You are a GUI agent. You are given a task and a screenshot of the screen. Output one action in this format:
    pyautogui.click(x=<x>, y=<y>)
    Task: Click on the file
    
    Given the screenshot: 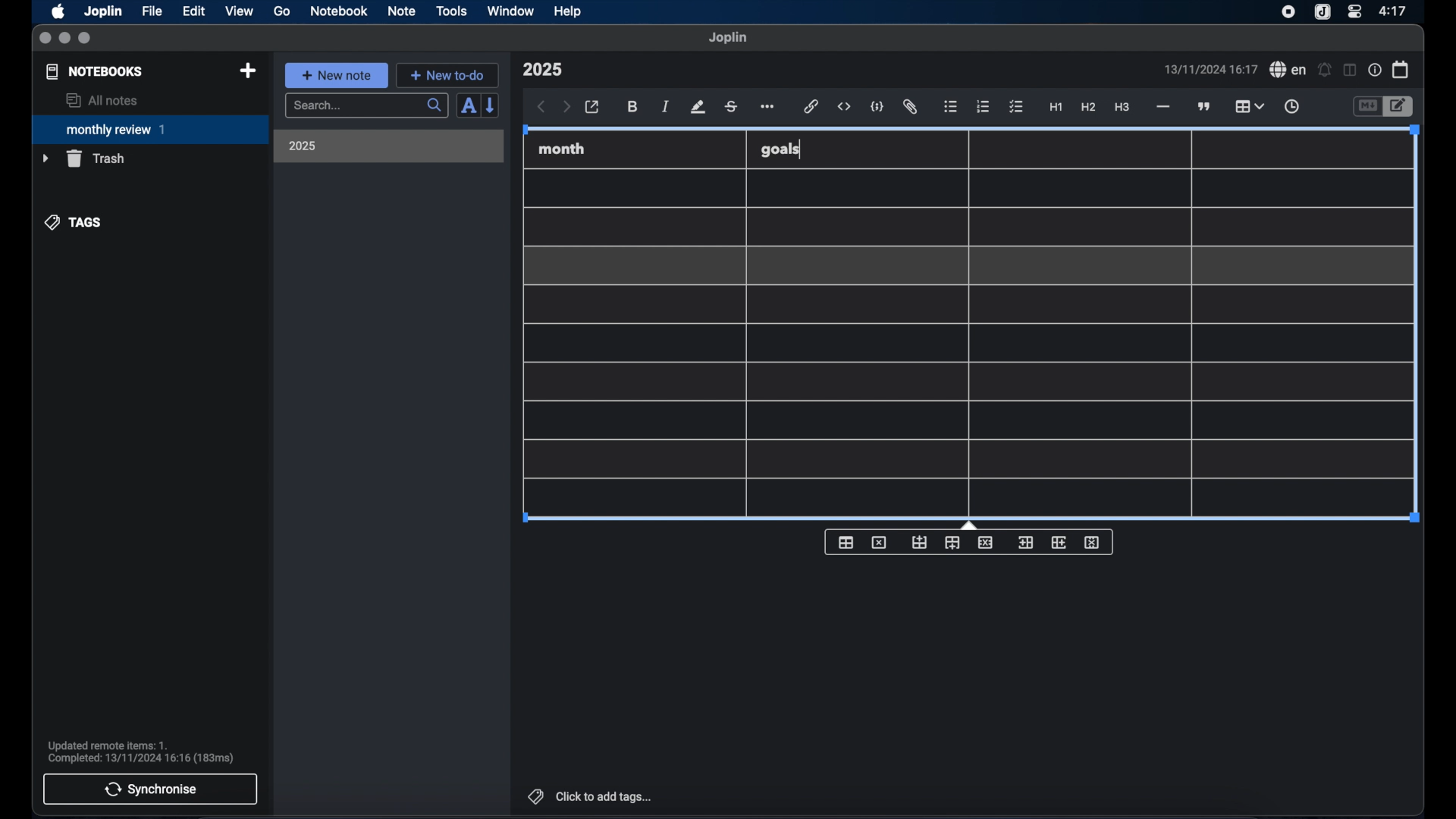 What is the action you would take?
    pyautogui.click(x=152, y=11)
    